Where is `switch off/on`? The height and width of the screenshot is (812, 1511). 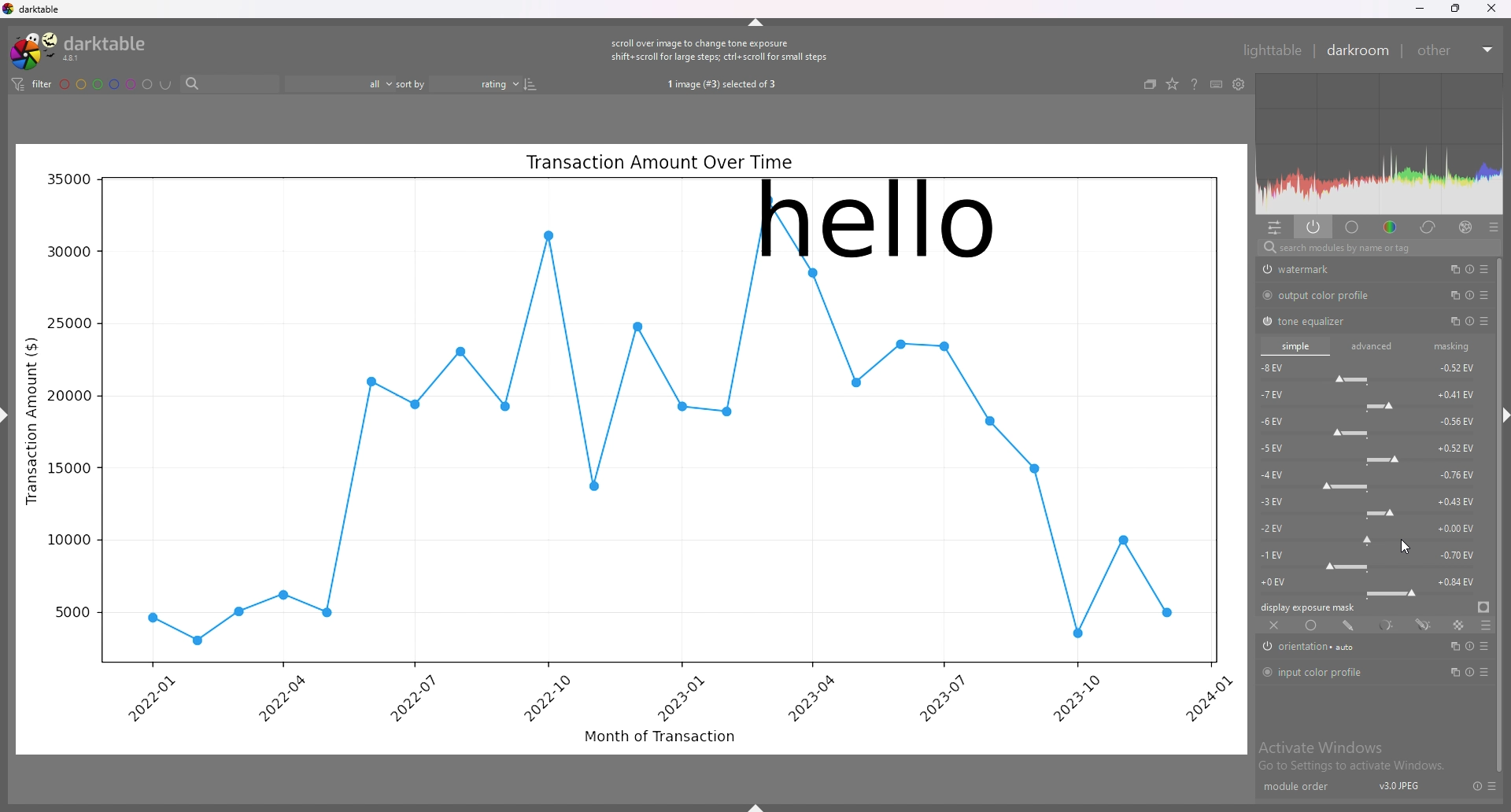 switch off/on is located at coordinates (1265, 321).